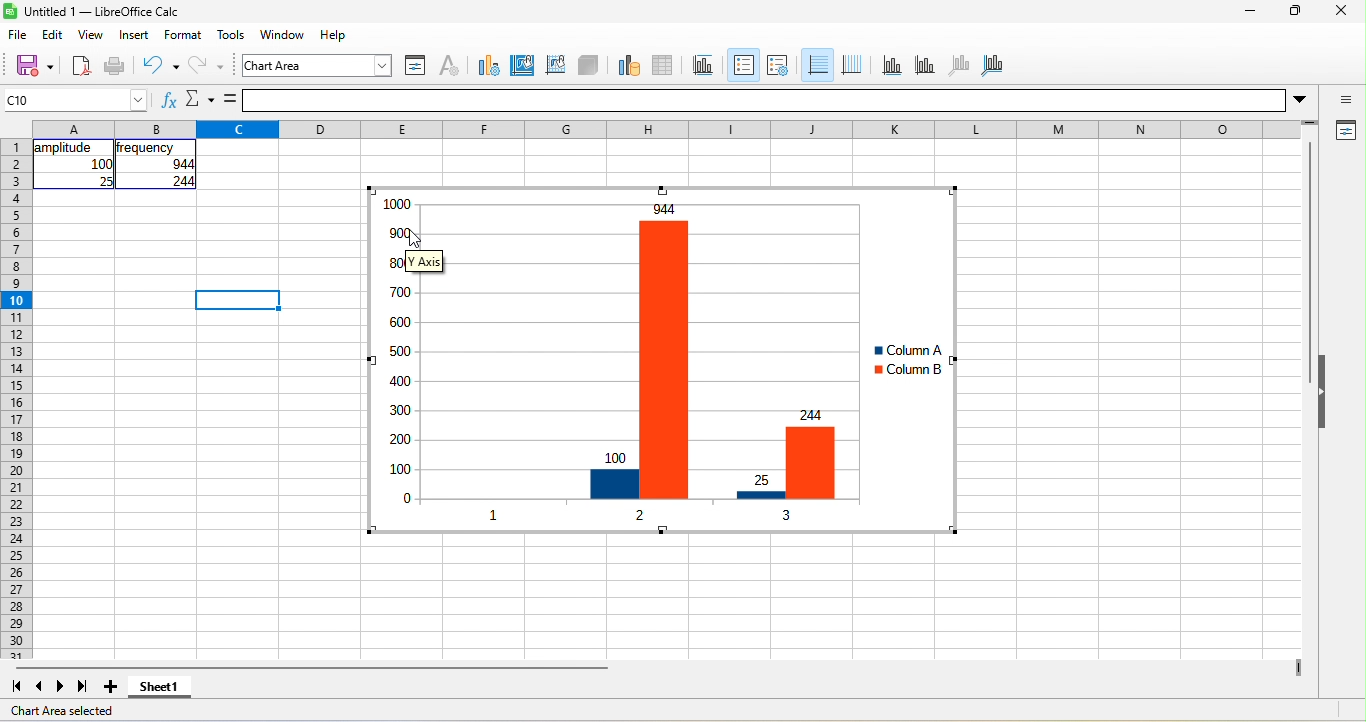 The height and width of the screenshot is (722, 1366). I want to click on window, so click(286, 36).